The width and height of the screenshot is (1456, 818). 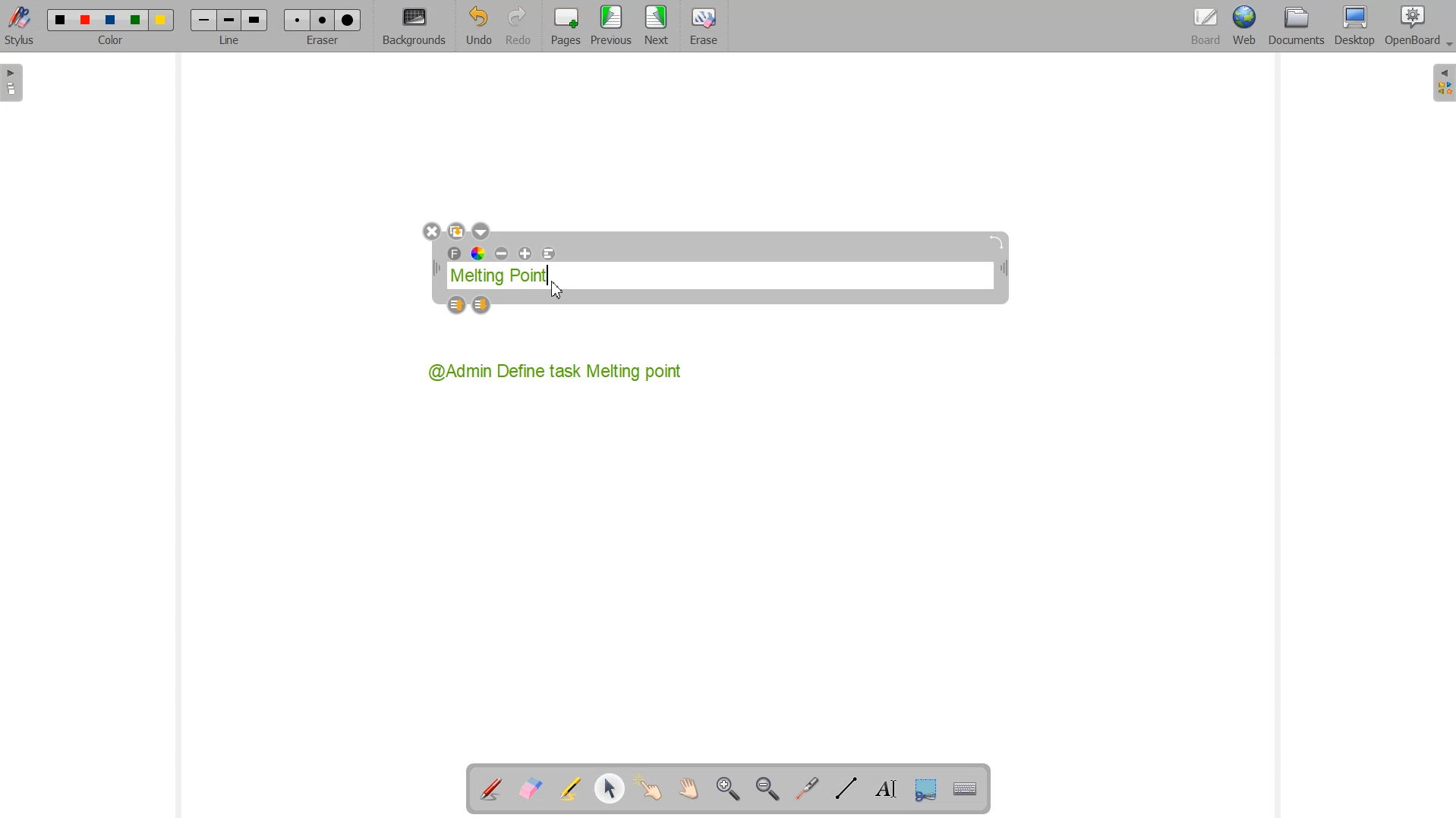 I want to click on Text box width adjuster, so click(x=436, y=269).